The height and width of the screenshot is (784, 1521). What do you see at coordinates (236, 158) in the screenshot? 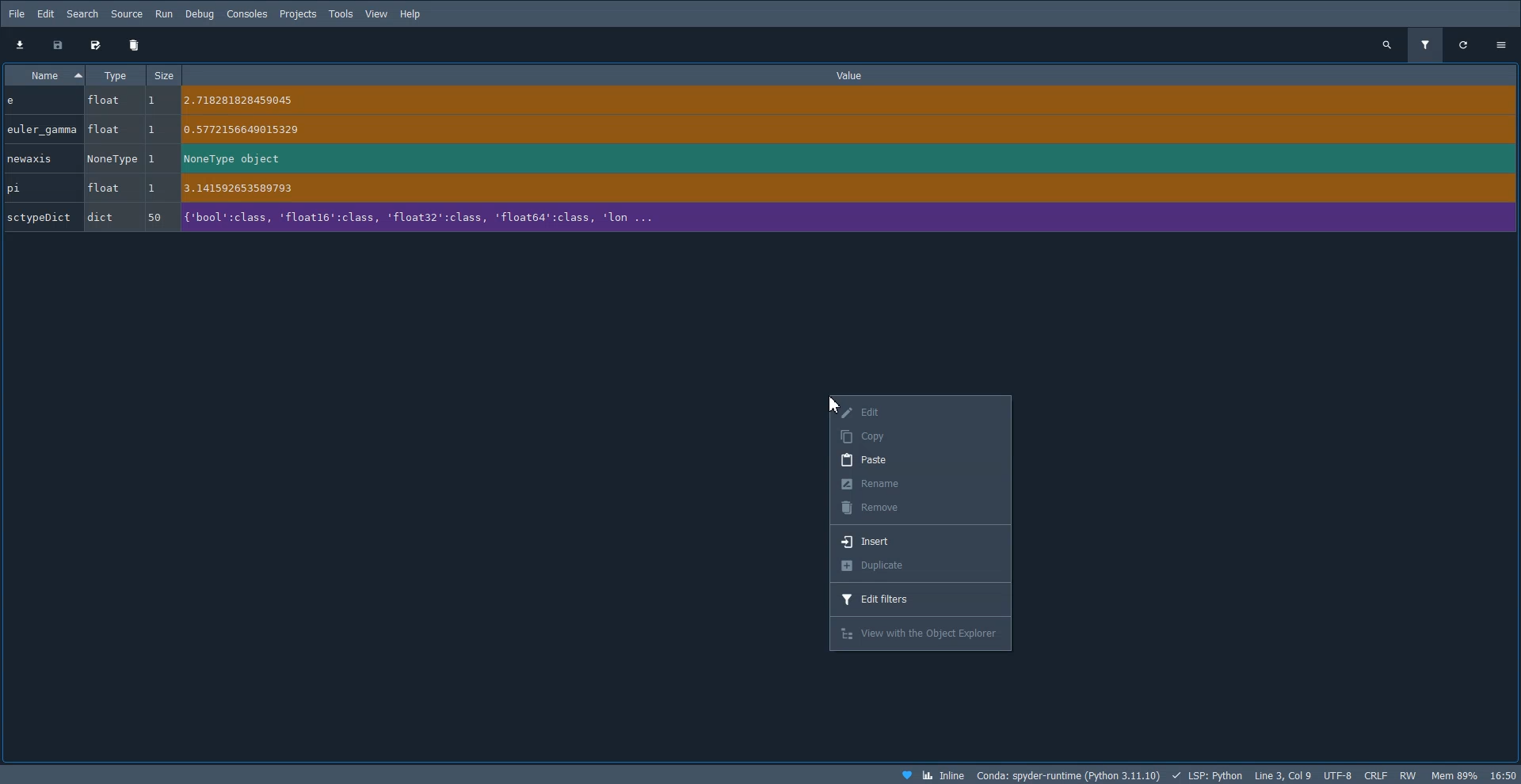
I see `NoneType object` at bounding box center [236, 158].